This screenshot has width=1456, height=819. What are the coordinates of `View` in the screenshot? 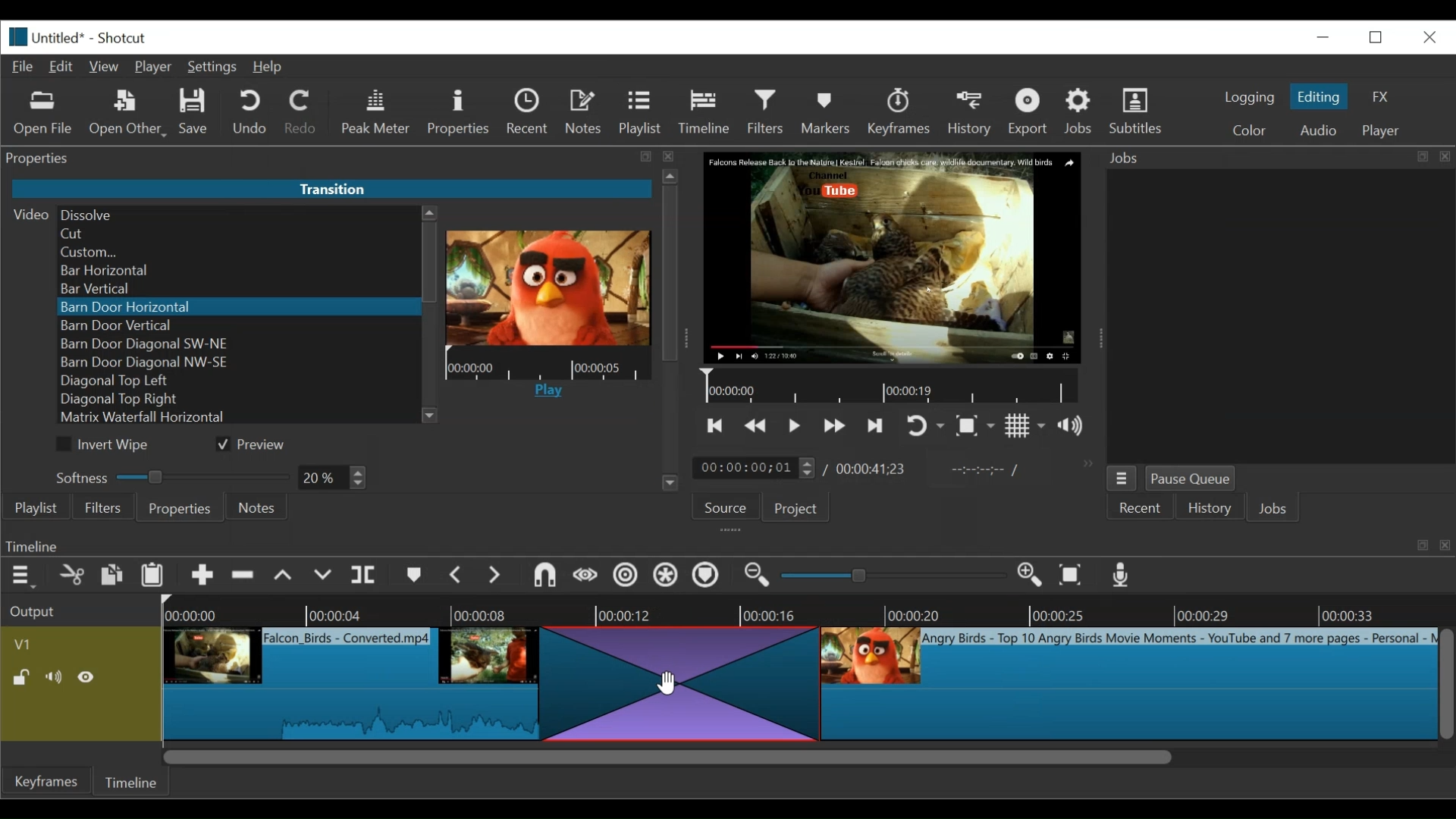 It's located at (105, 66).